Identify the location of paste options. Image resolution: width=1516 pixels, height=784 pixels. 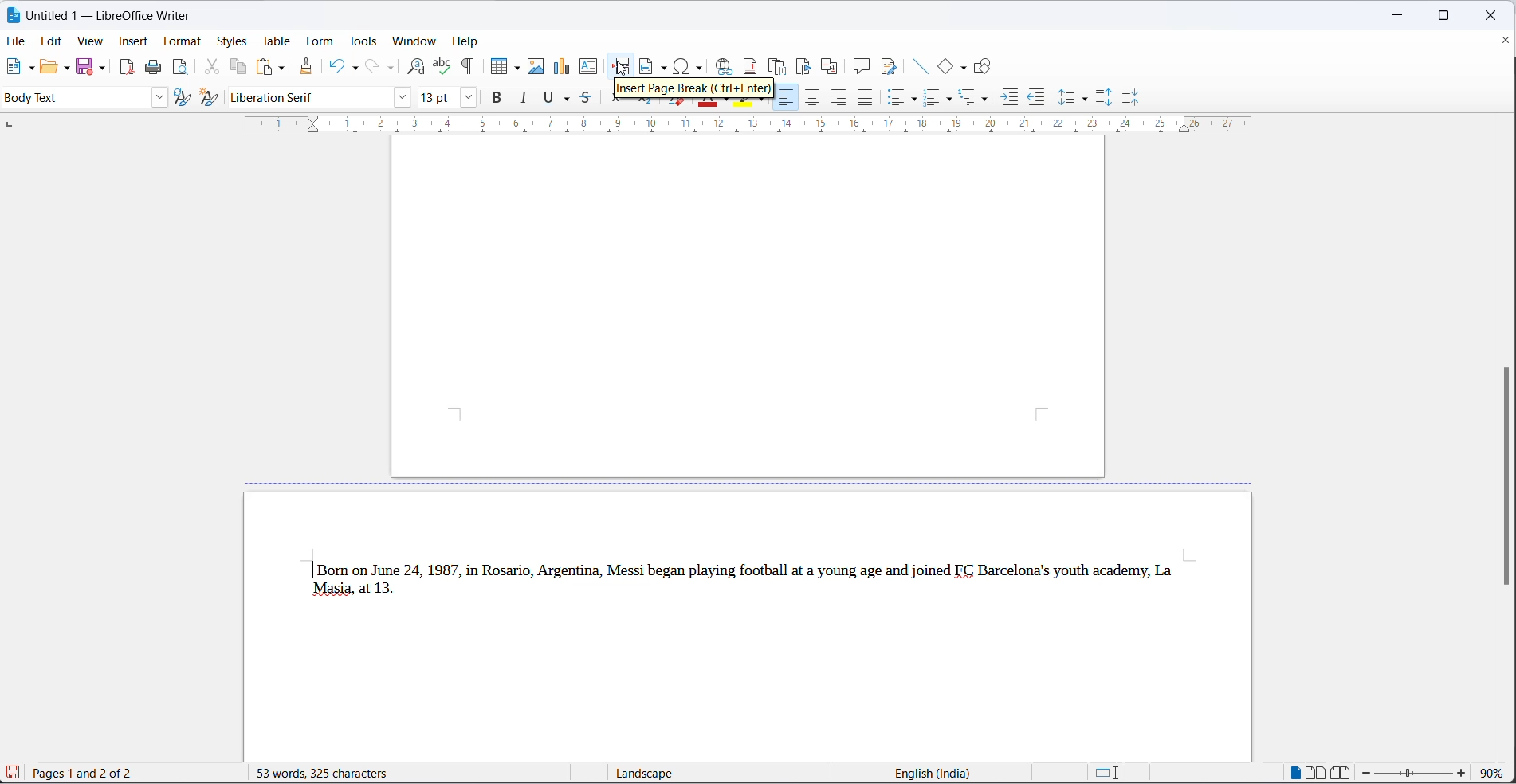
(279, 66).